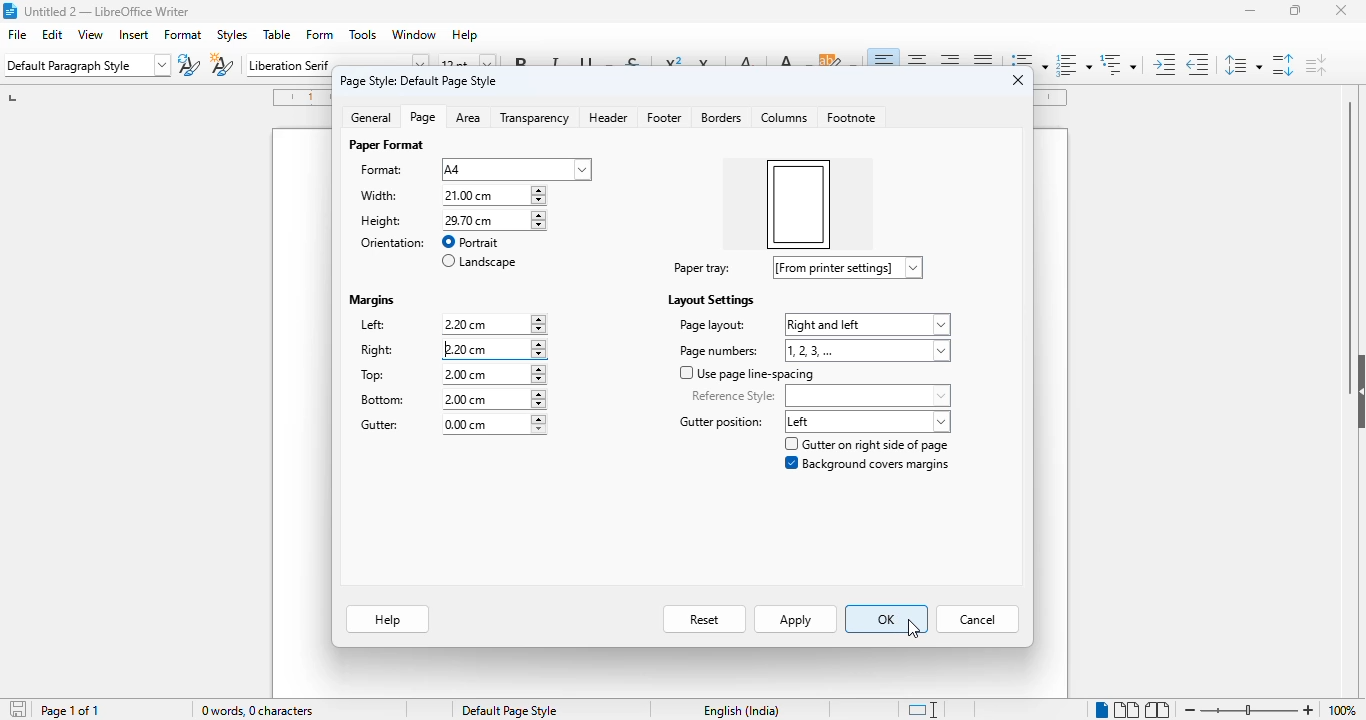 This screenshot has width=1366, height=720. What do you see at coordinates (1190, 710) in the screenshot?
I see `zoom out` at bounding box center [1190, 710].